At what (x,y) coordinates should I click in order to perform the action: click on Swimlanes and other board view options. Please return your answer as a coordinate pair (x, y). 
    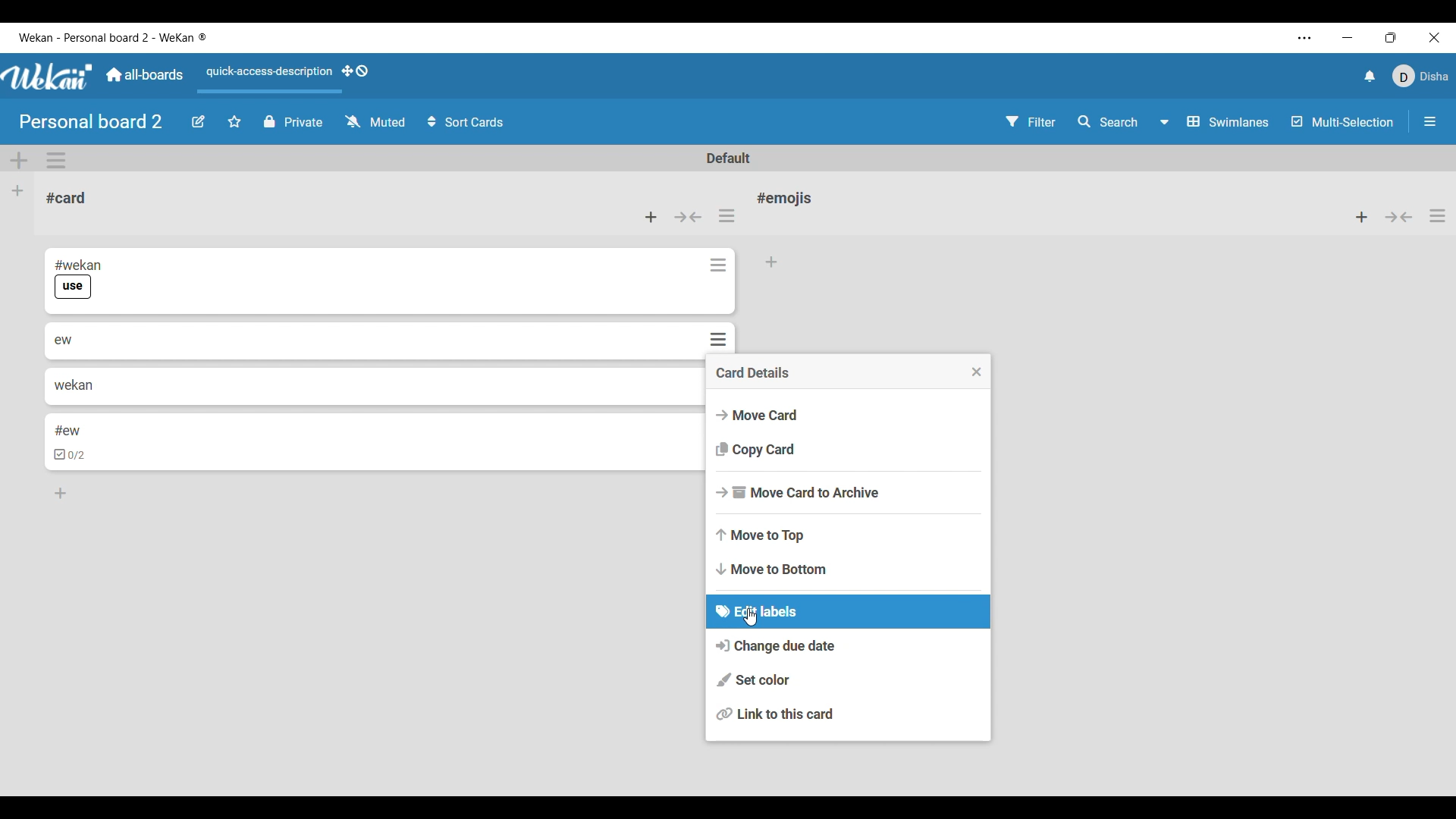
    Looking at the image, I should click on (1213, 121).